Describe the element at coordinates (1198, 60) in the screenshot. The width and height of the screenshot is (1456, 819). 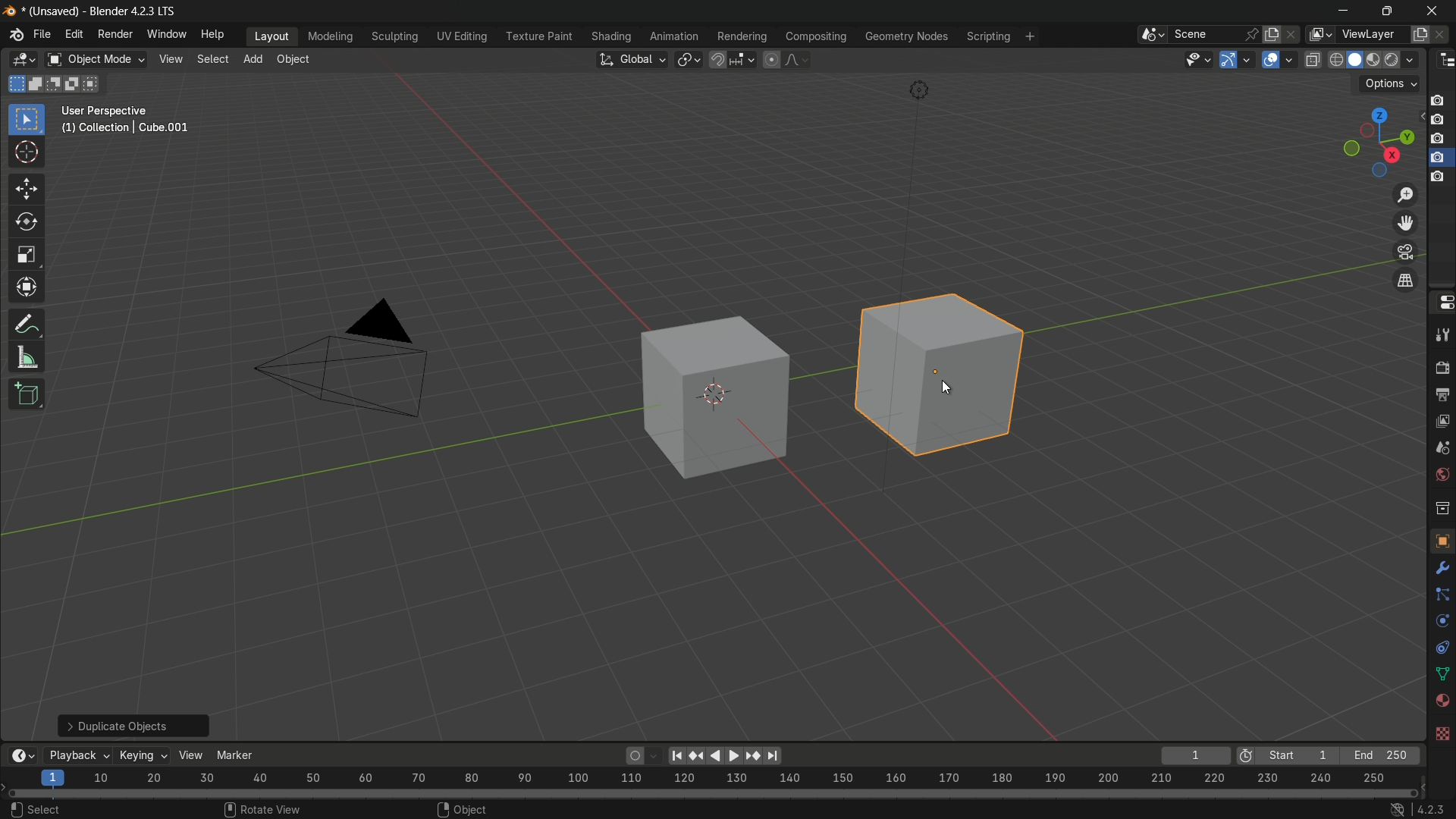
I see `selectability and visibility` at that location.